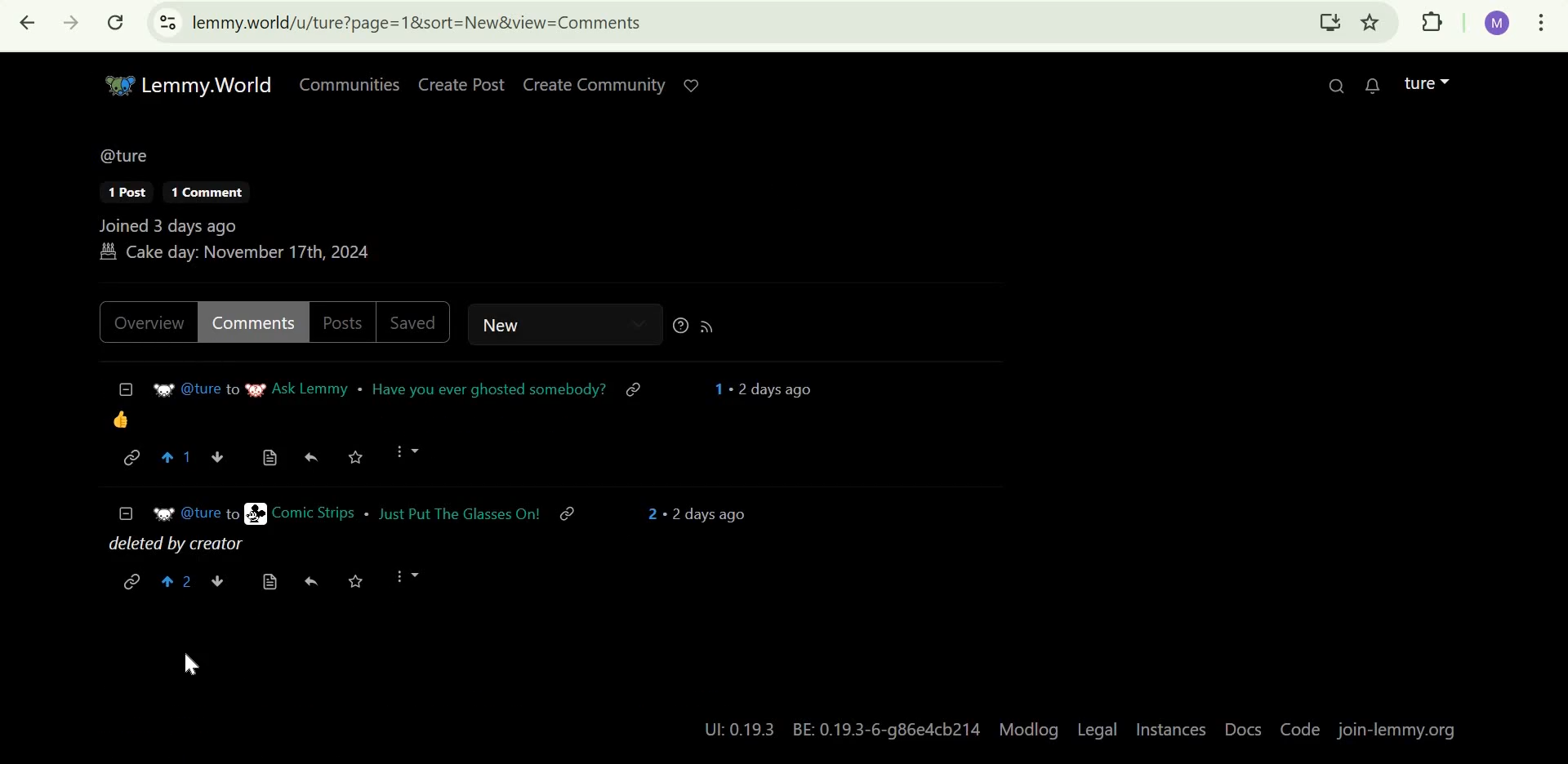 The height and width of the screenshot is (764, 1568). Describe the element at coordinates (699, 514) in the screenshot. I see `2 . 2 days ago` at that location.